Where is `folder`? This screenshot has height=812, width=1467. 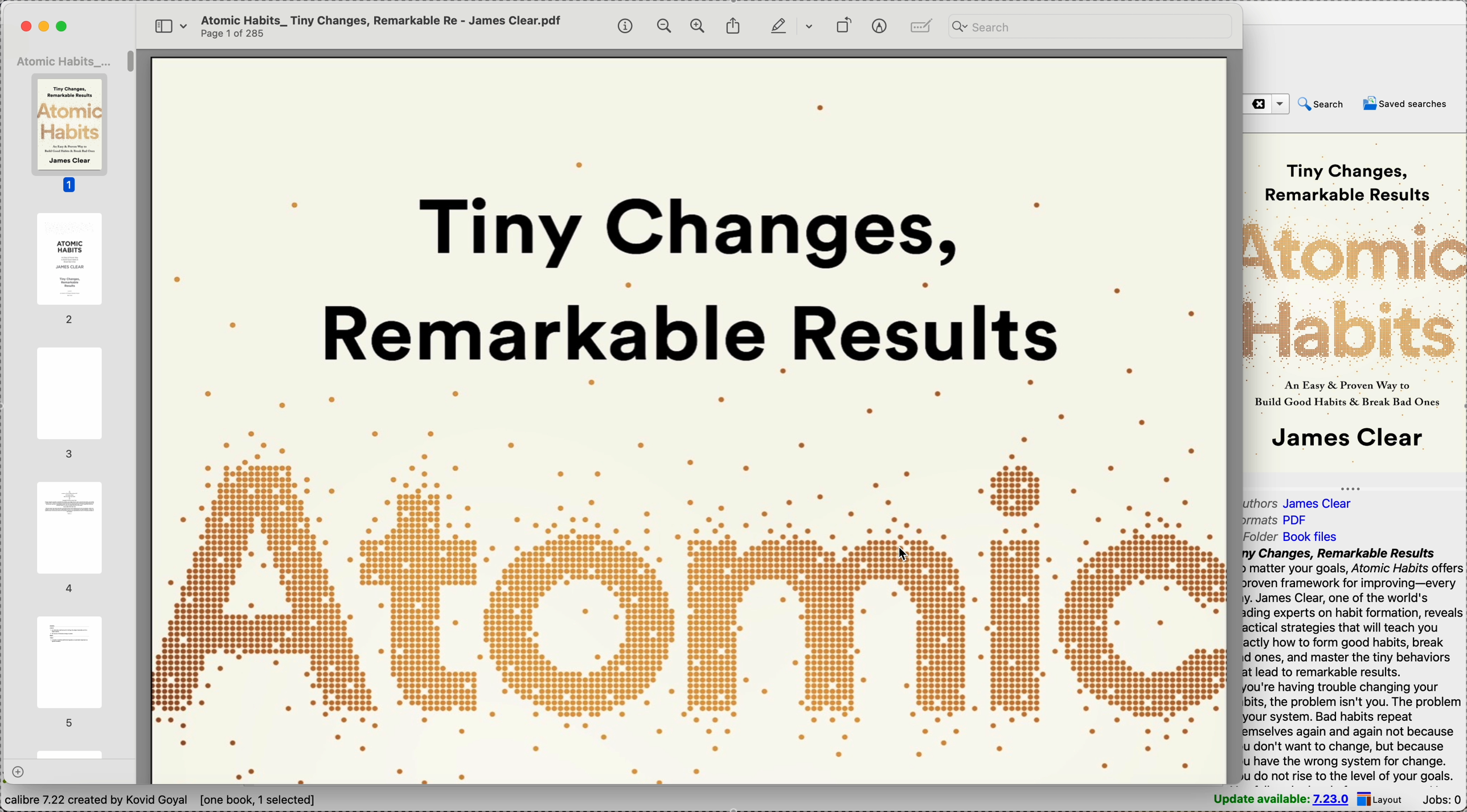 folder is located at coordinates (1295, 536).